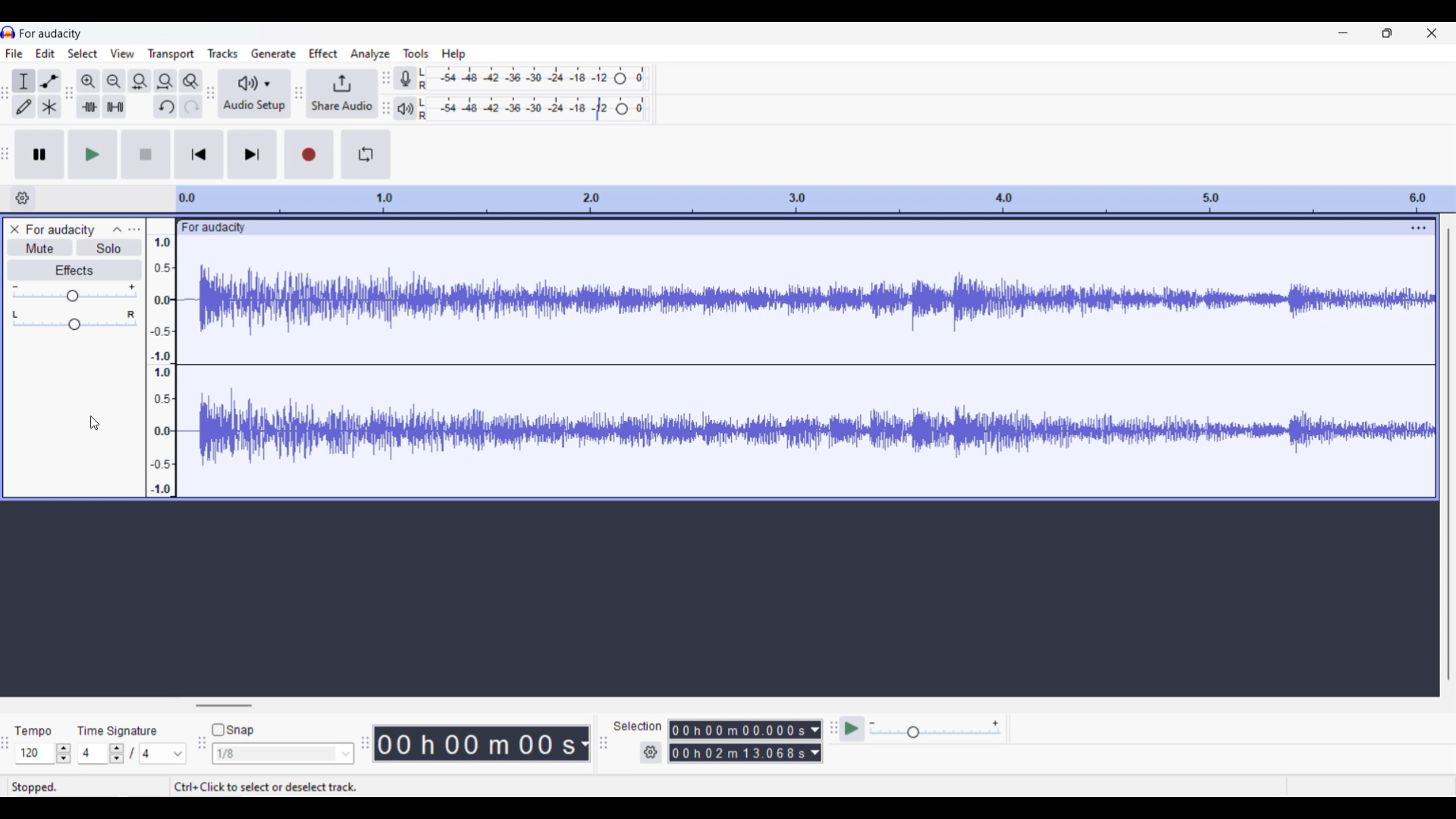 The width and height of the screenshot is (1456, 819). What do you see at coordinates (115, 106) in the screenshot?
I see `Silence audio selection` at bounding box center [115, 106].